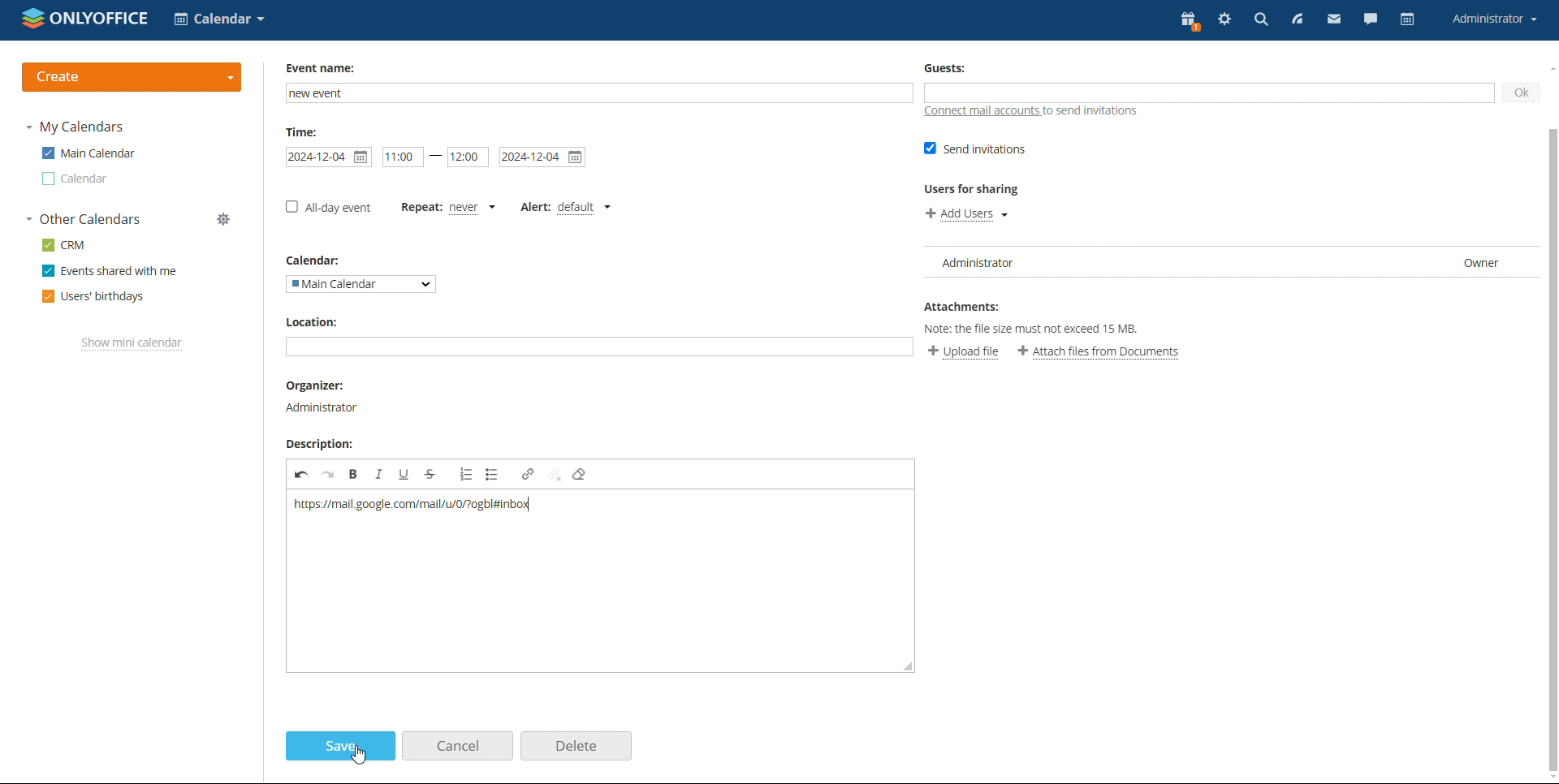  What do you see at coordinates (961, 352) in the screenshot?
I see `upload file` at bounding box center [961, 352].